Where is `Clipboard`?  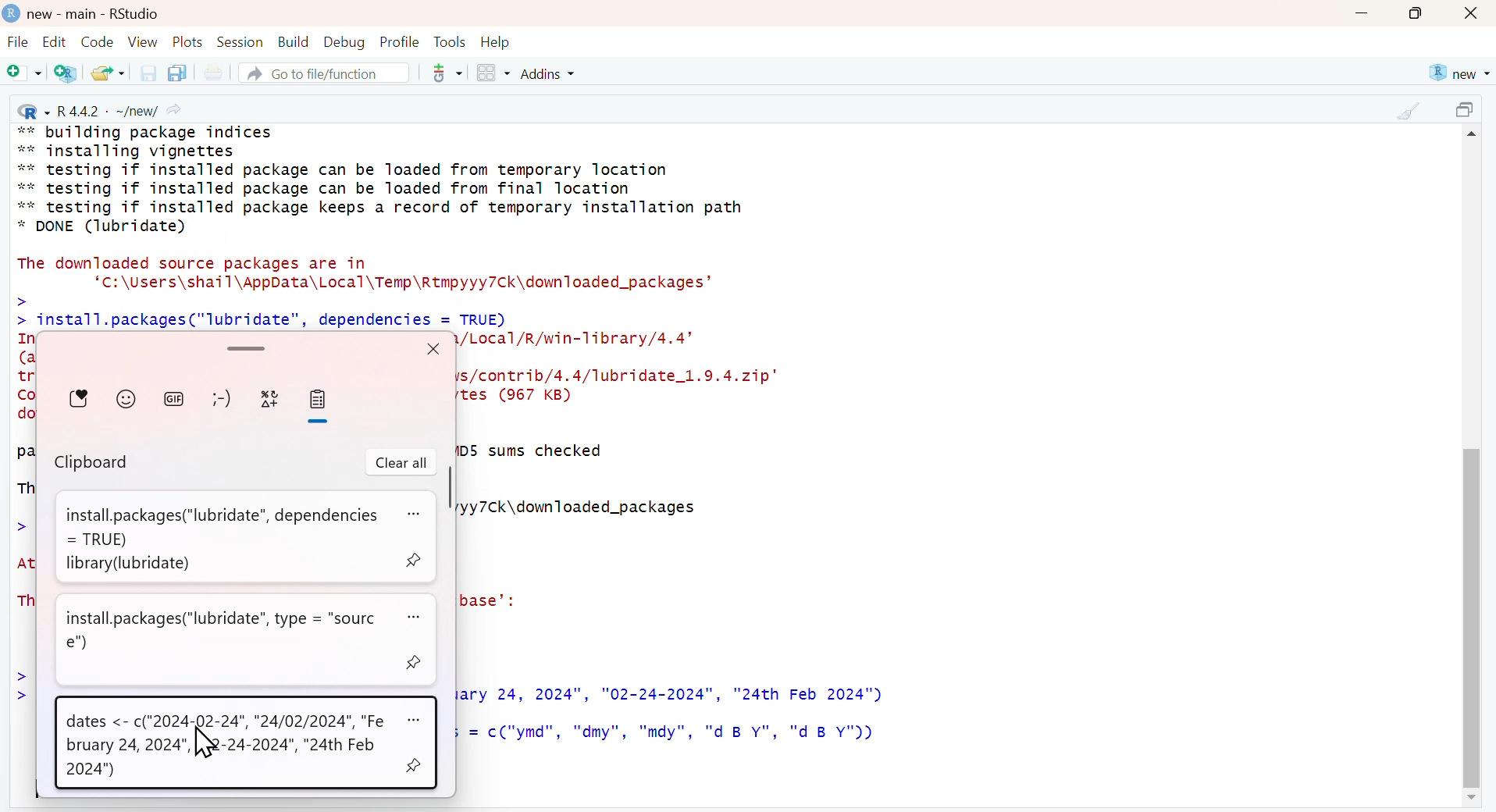
Clipboard is located at coordinates (93, 464).